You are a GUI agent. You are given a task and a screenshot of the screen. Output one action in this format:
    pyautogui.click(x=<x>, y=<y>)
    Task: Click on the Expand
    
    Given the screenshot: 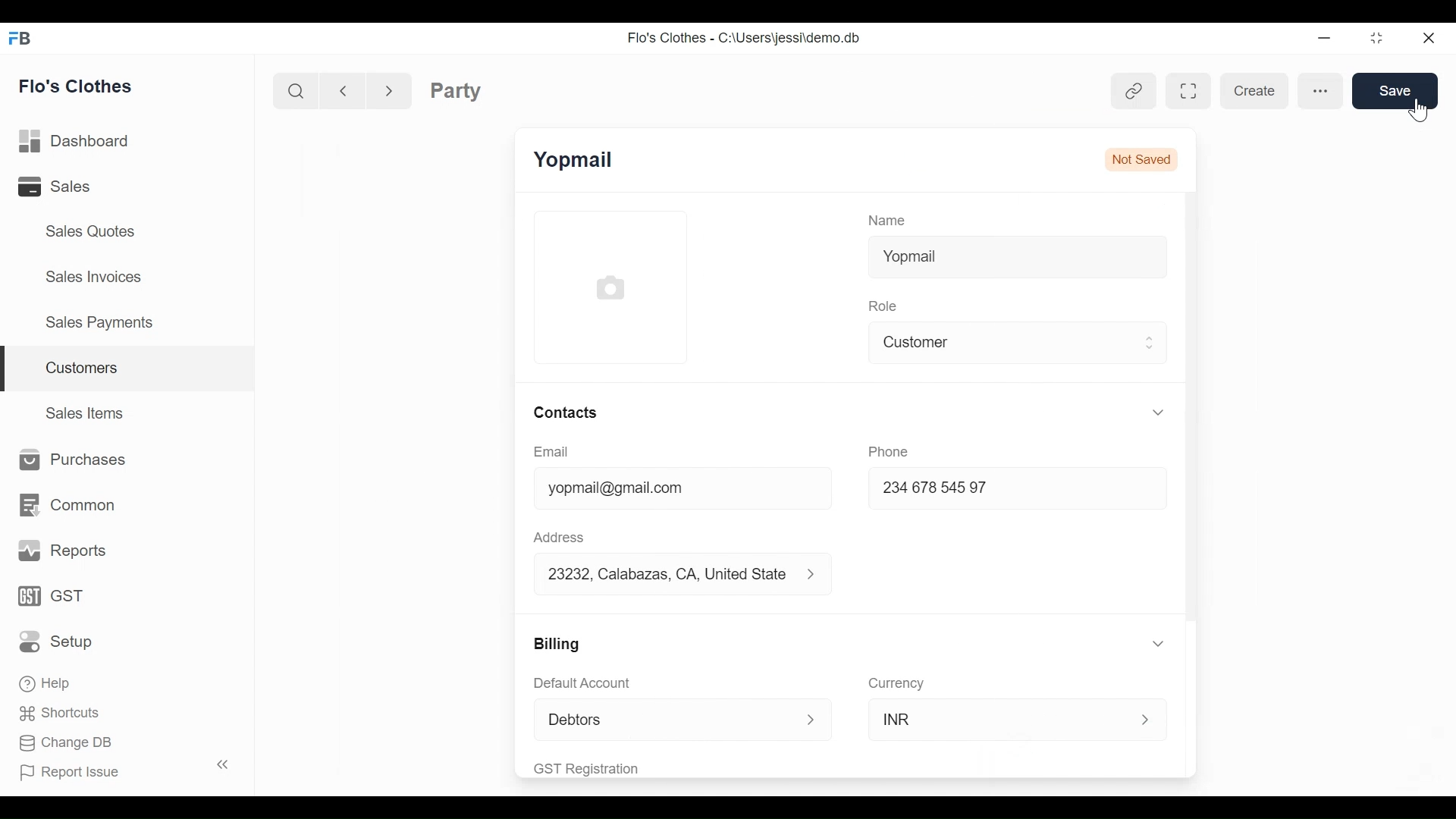 What is the action you would take?
    pyautogui.click(x=1158, y=411)
    